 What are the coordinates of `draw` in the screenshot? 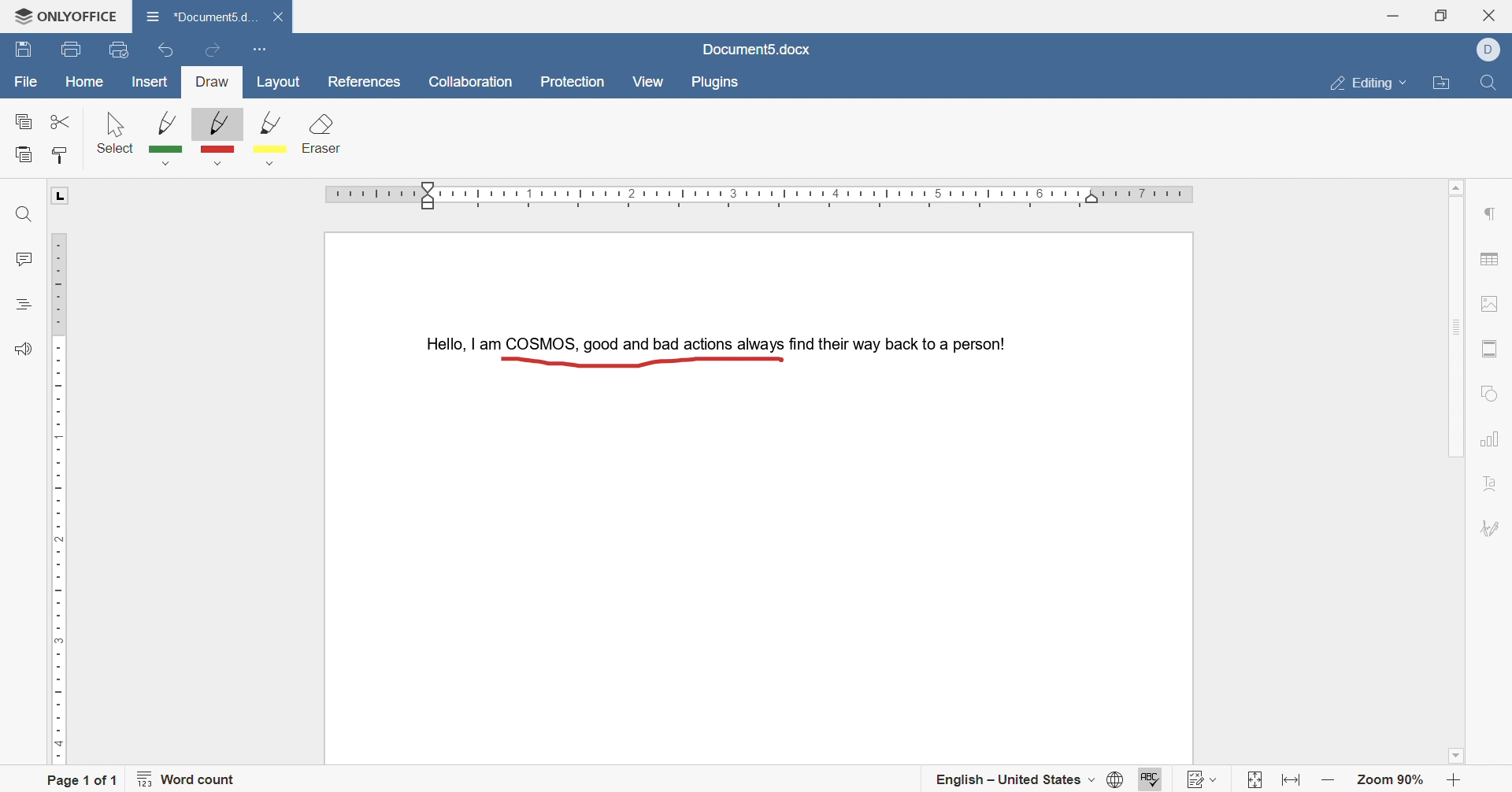 It's located at (213, 83).